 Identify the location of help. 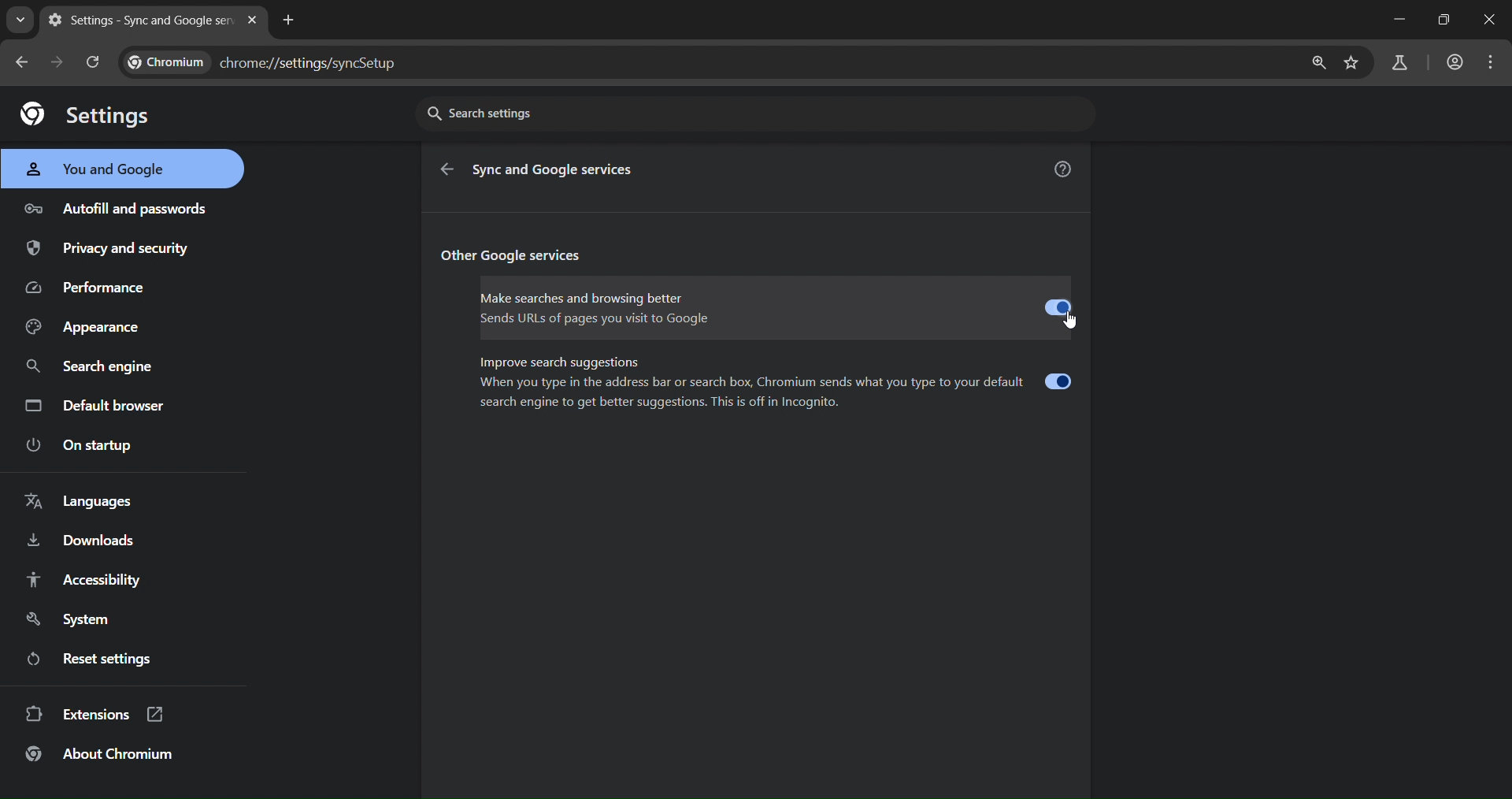
(1065, 169).